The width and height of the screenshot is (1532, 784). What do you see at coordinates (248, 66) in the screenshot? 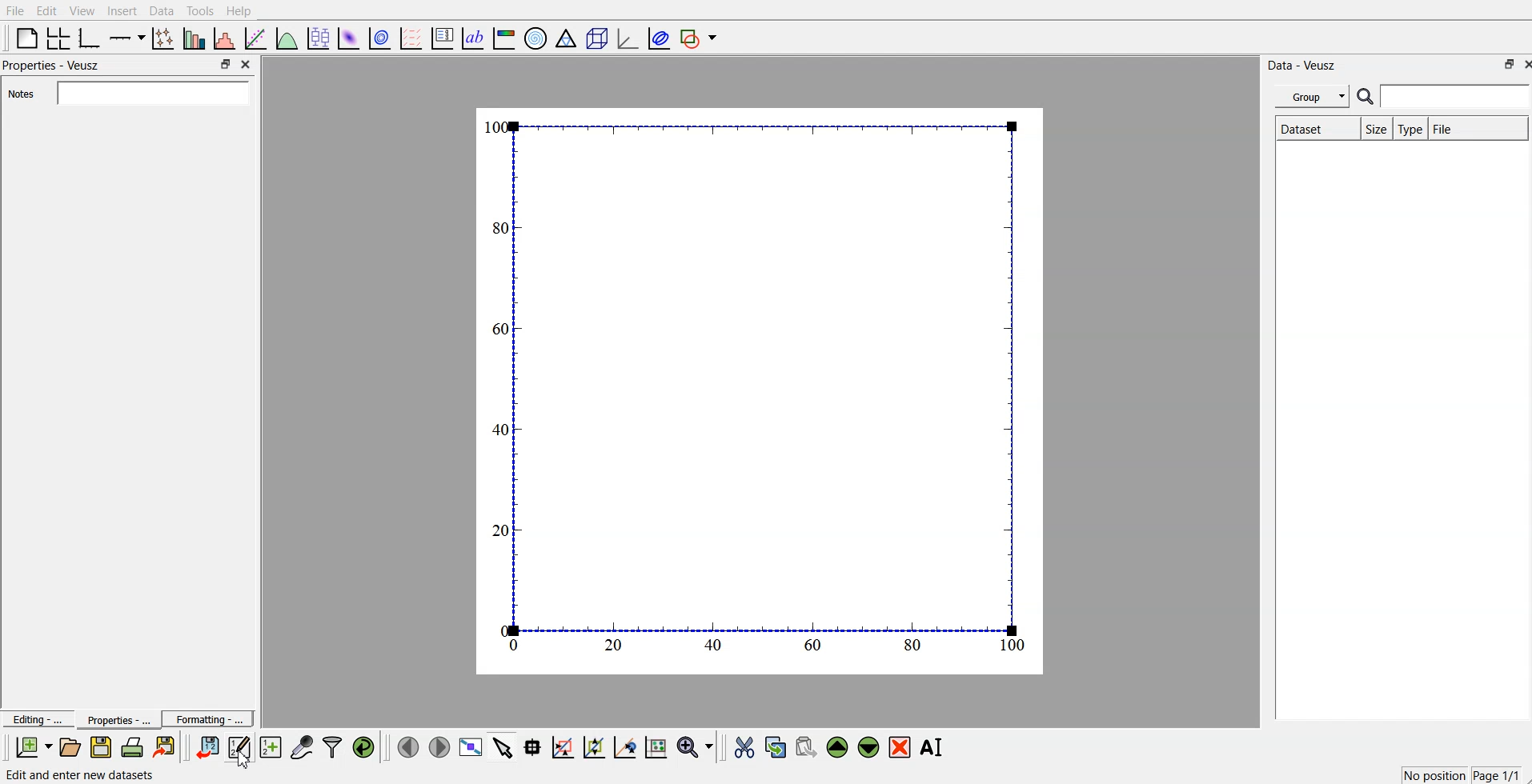
I see `Close` at bounding box center [248, 66].